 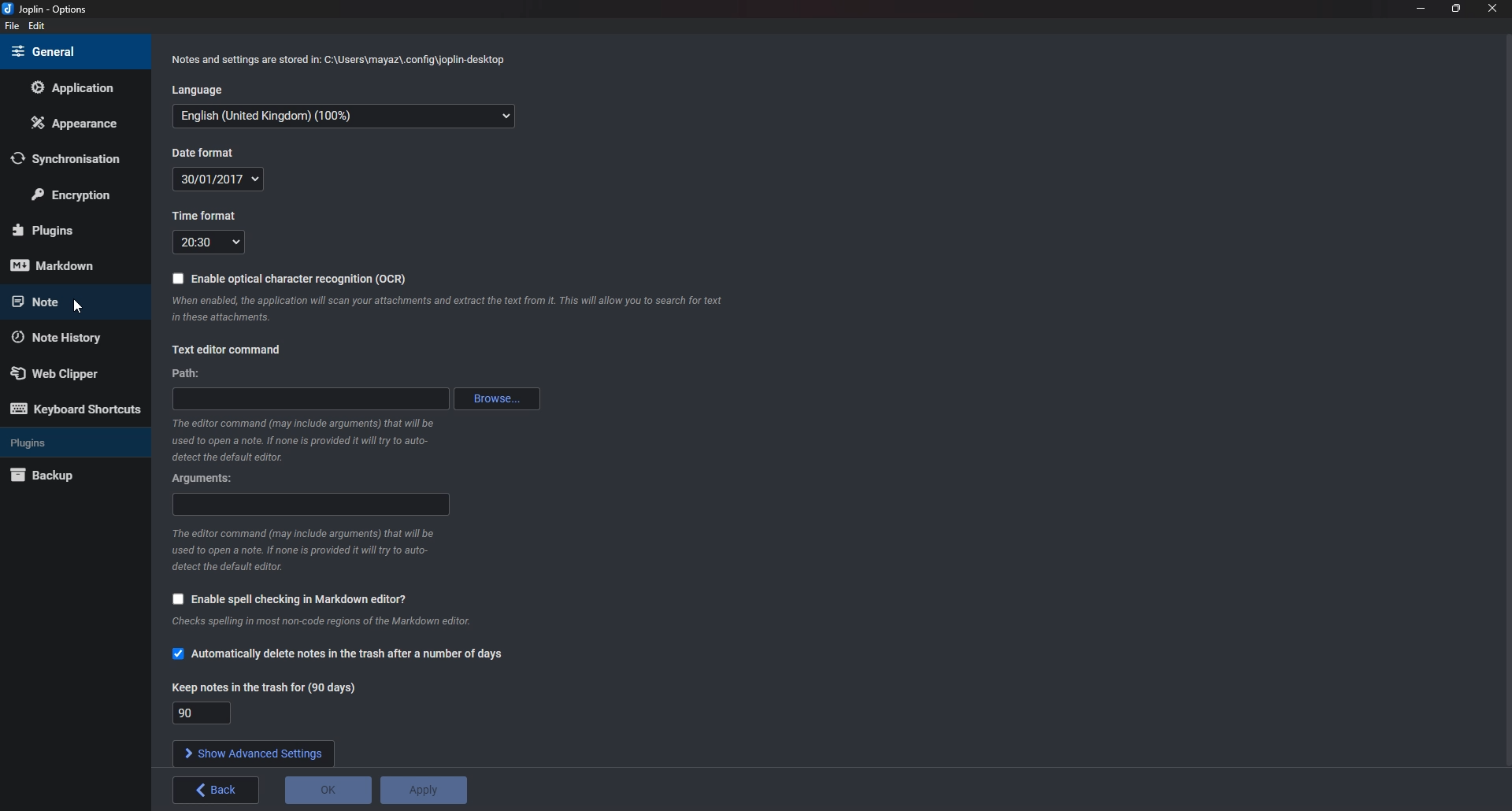 I want to click on Apply, so click(x=422, y=791).